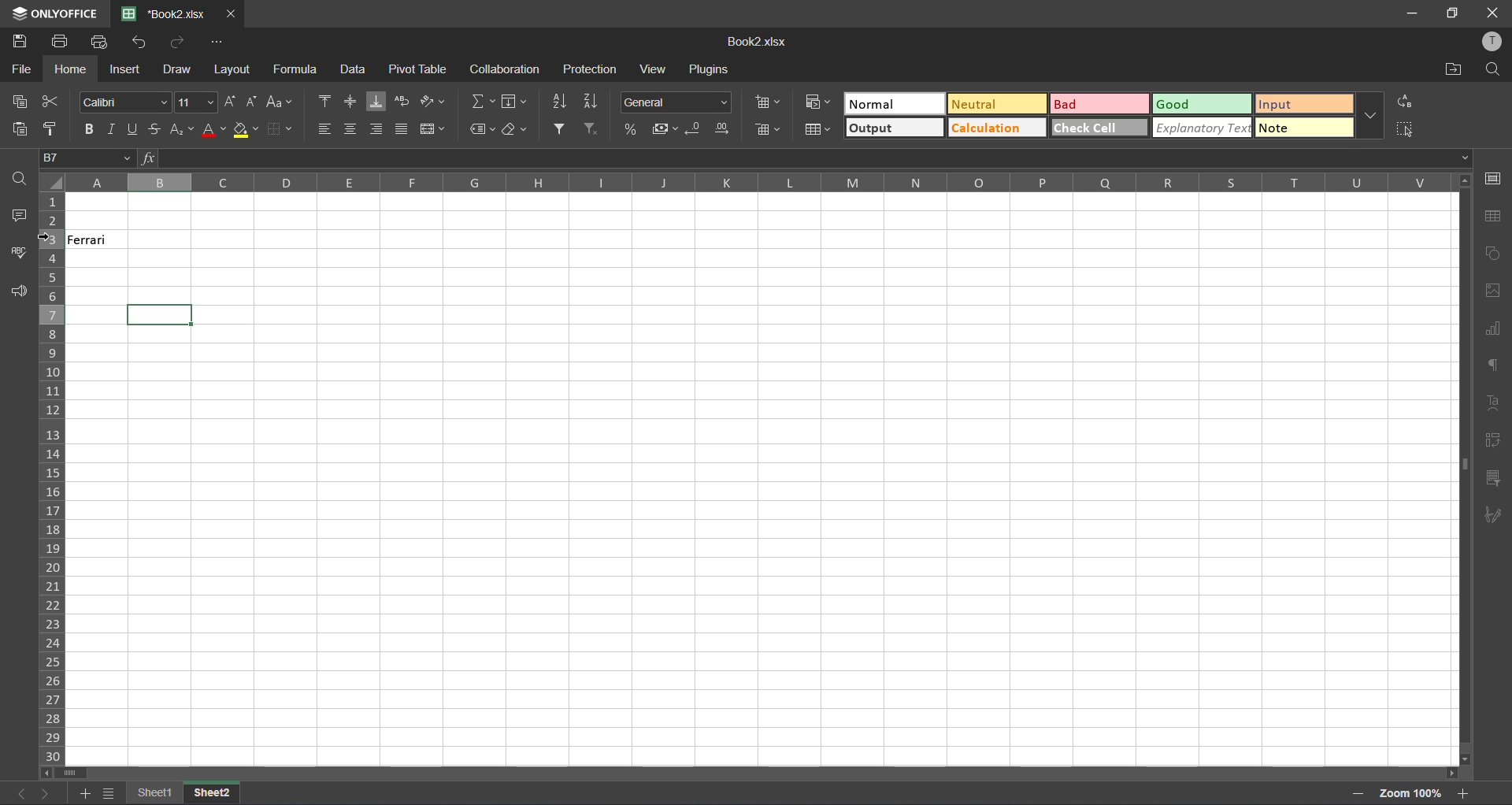 The image size is (1512, 805). I want to click on file name, so click(167, 13).